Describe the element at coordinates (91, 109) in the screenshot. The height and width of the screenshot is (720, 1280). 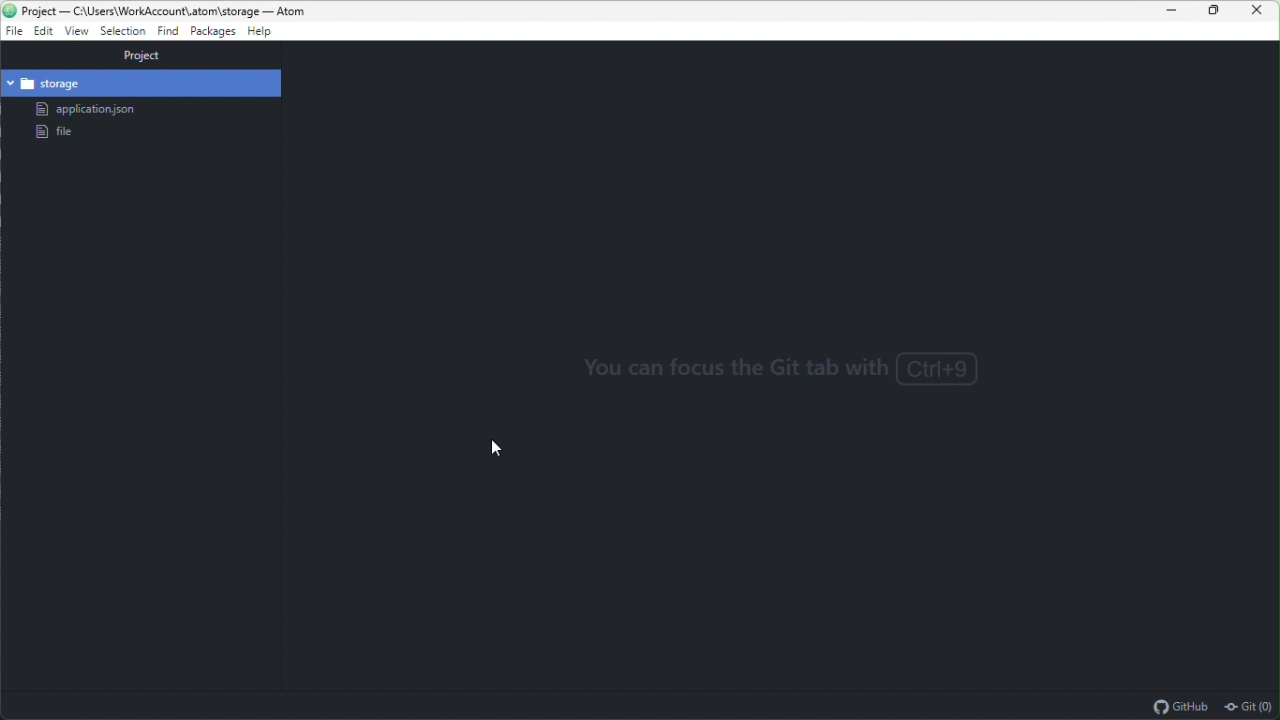
I see `application.json` at that location.